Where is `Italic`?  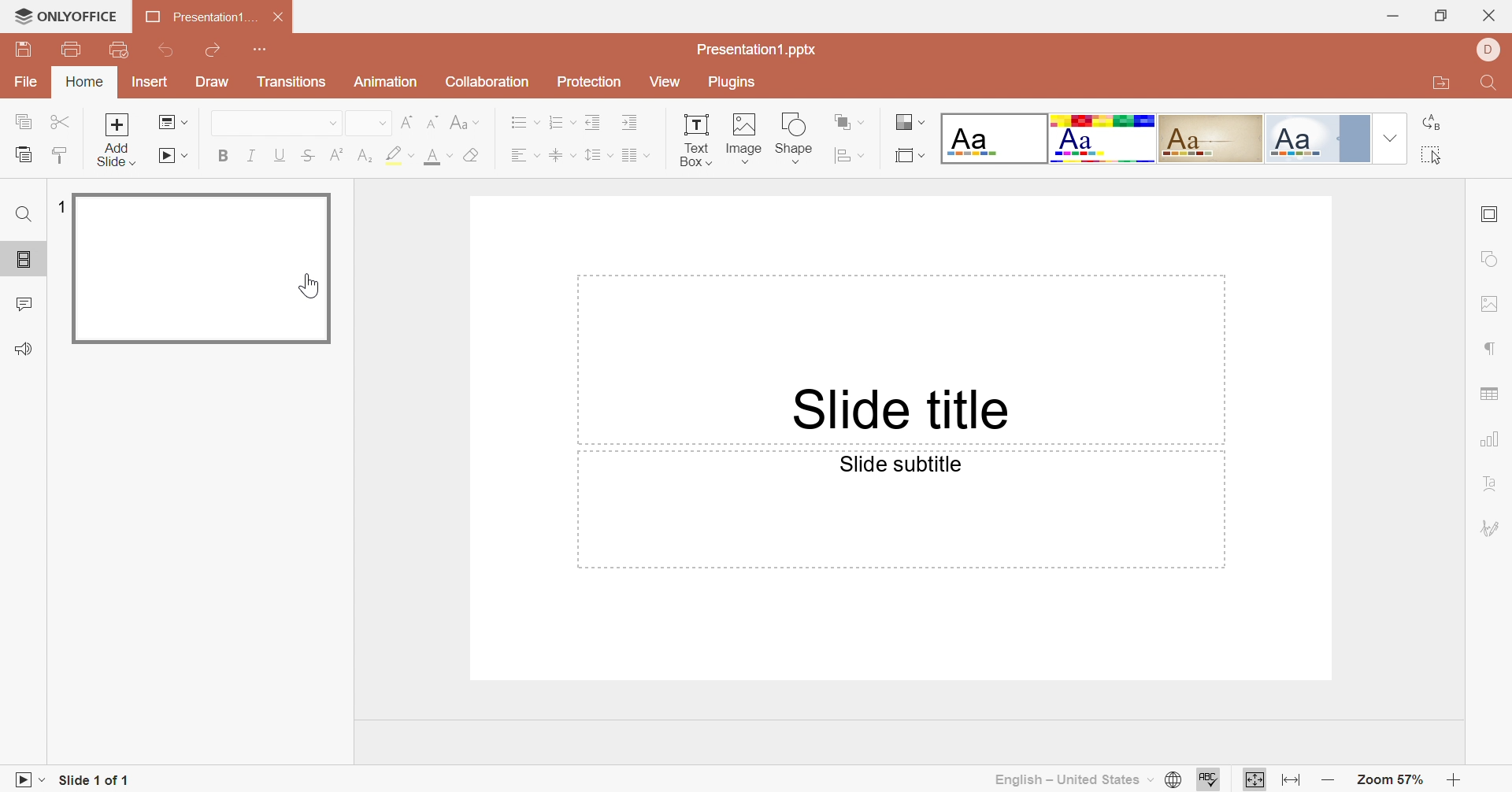 Italic is located at coordinates (250, 154).